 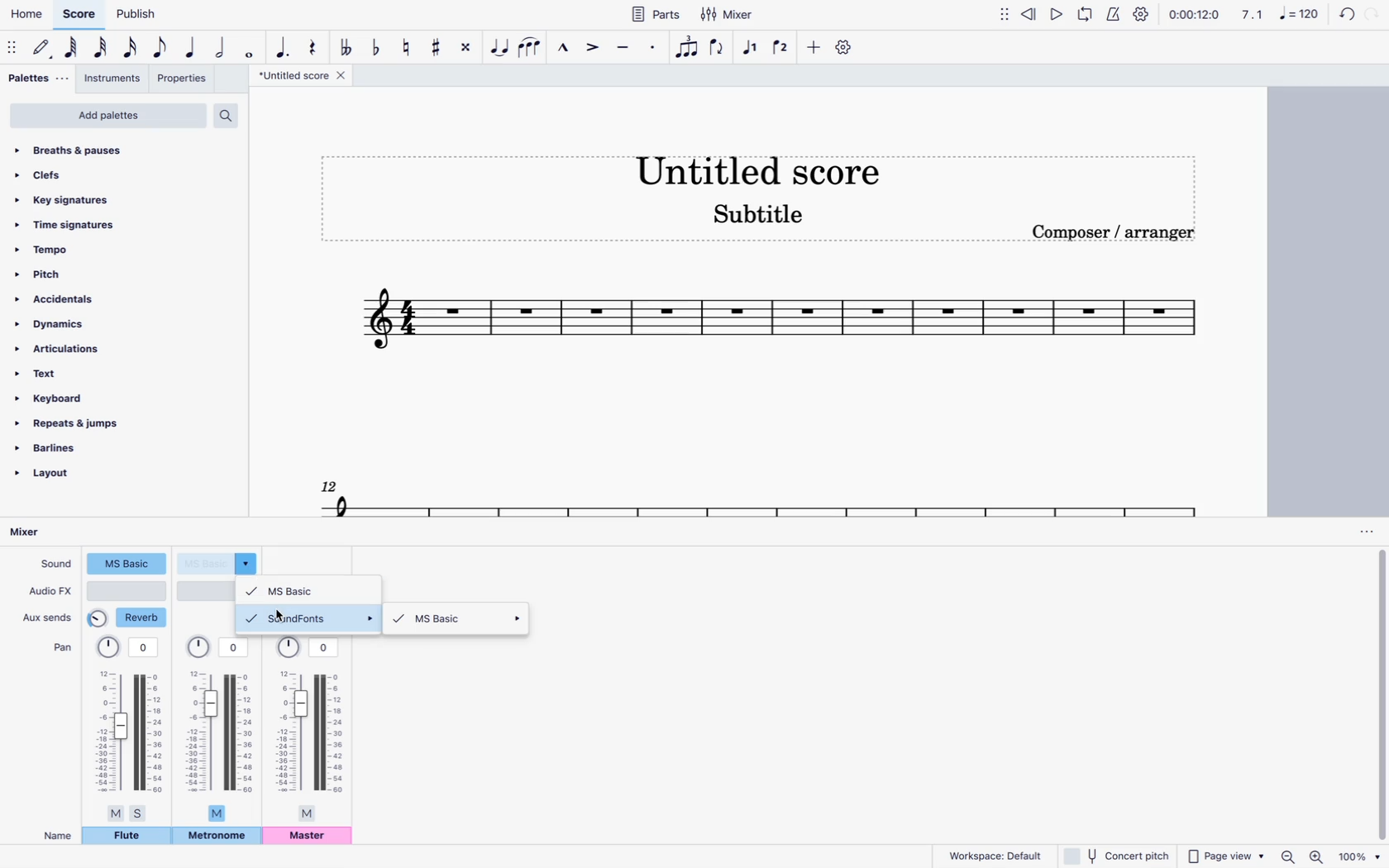 I want to click on score, so click(x=80, y=15).